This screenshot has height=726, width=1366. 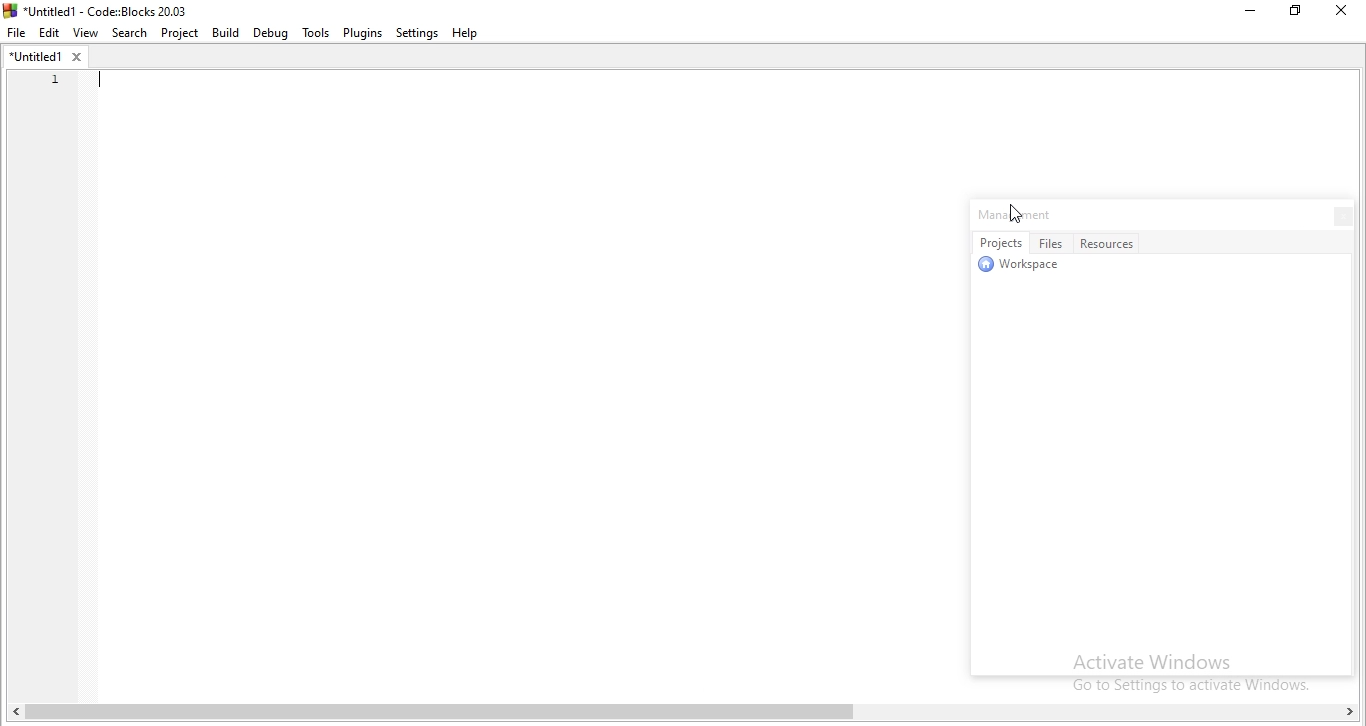 I want to click on scroll bar, so click(x=688, y=714).